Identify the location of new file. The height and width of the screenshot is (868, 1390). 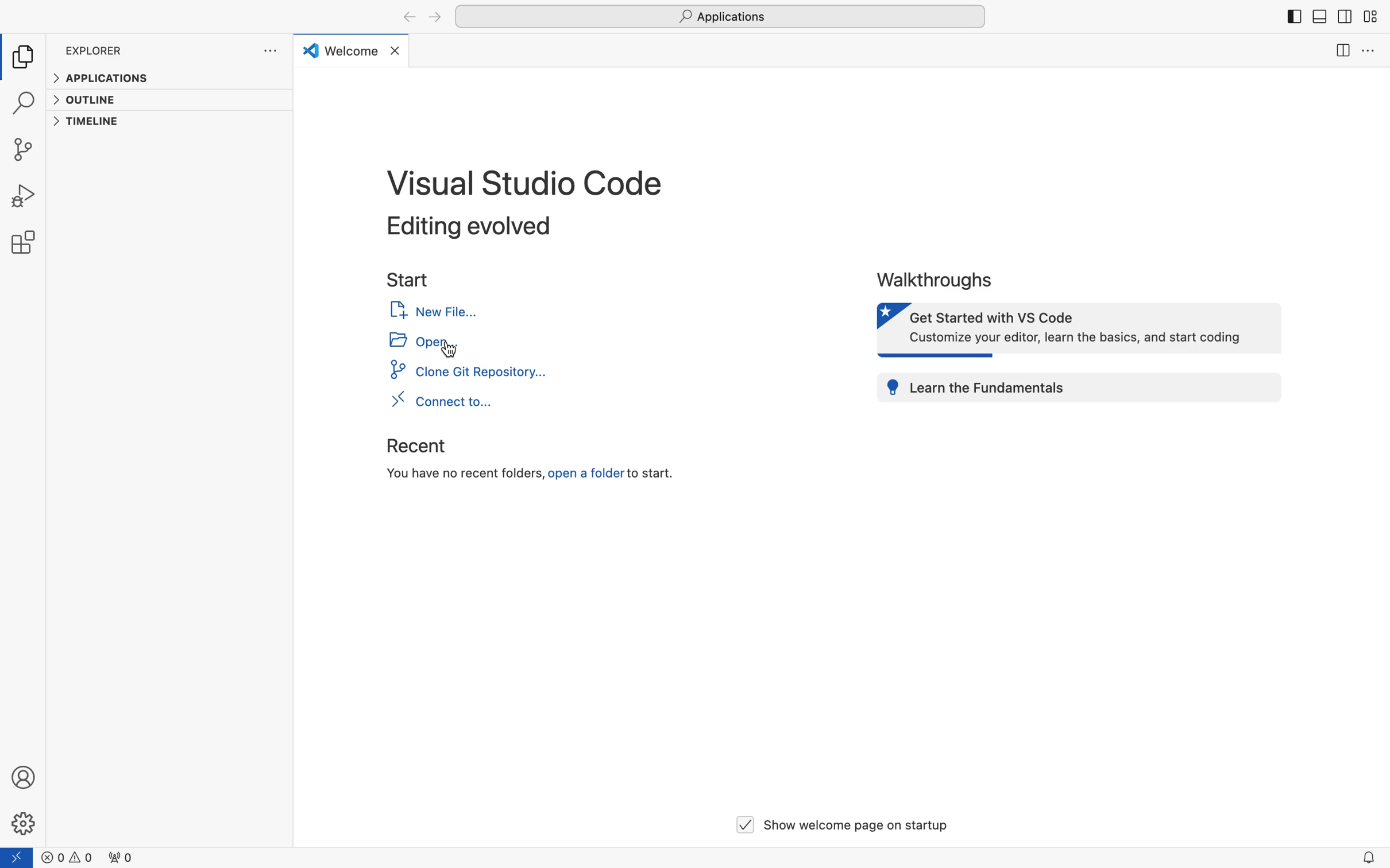
(433, 311).